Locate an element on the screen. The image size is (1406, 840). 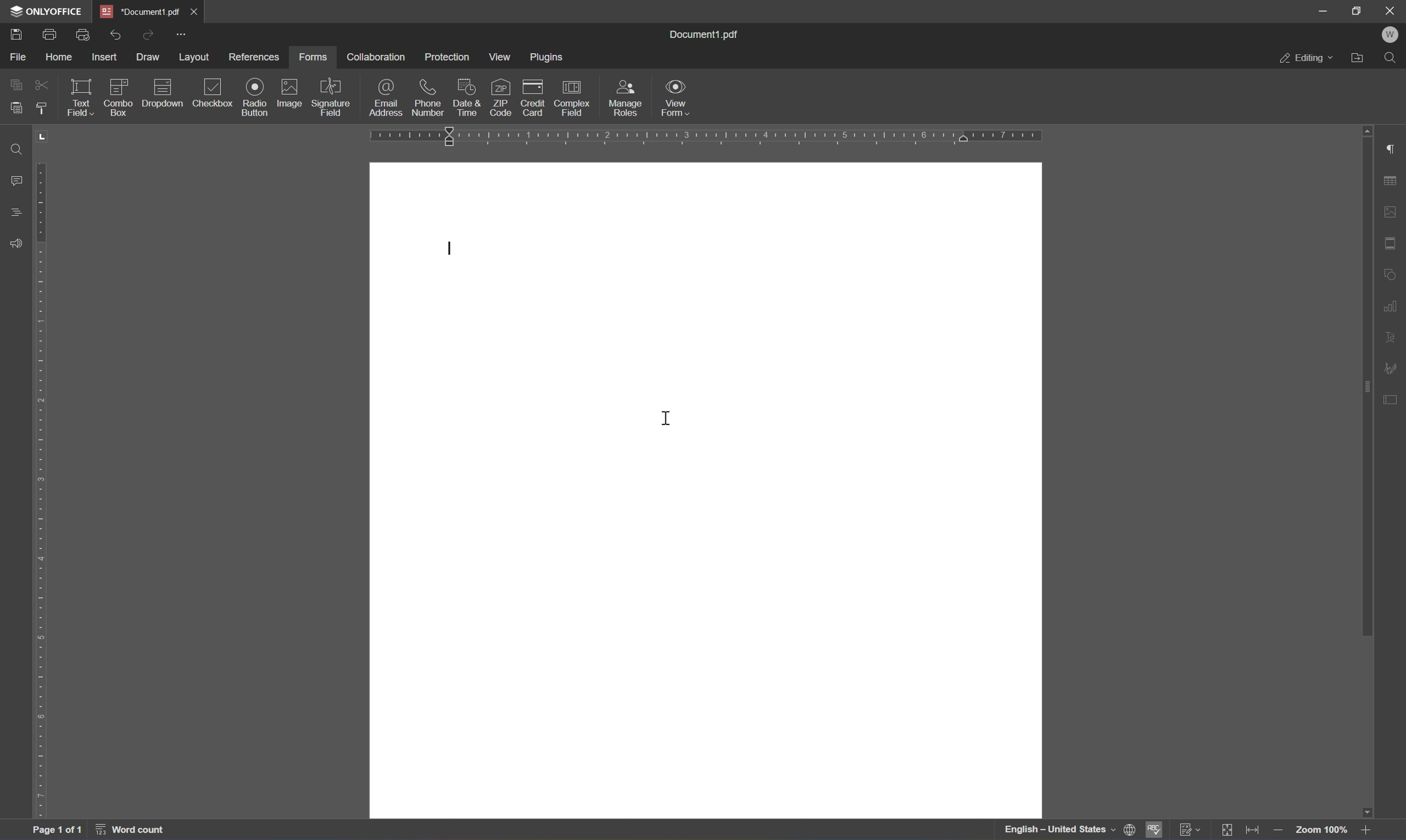
image is located at coordinates (289, 97).